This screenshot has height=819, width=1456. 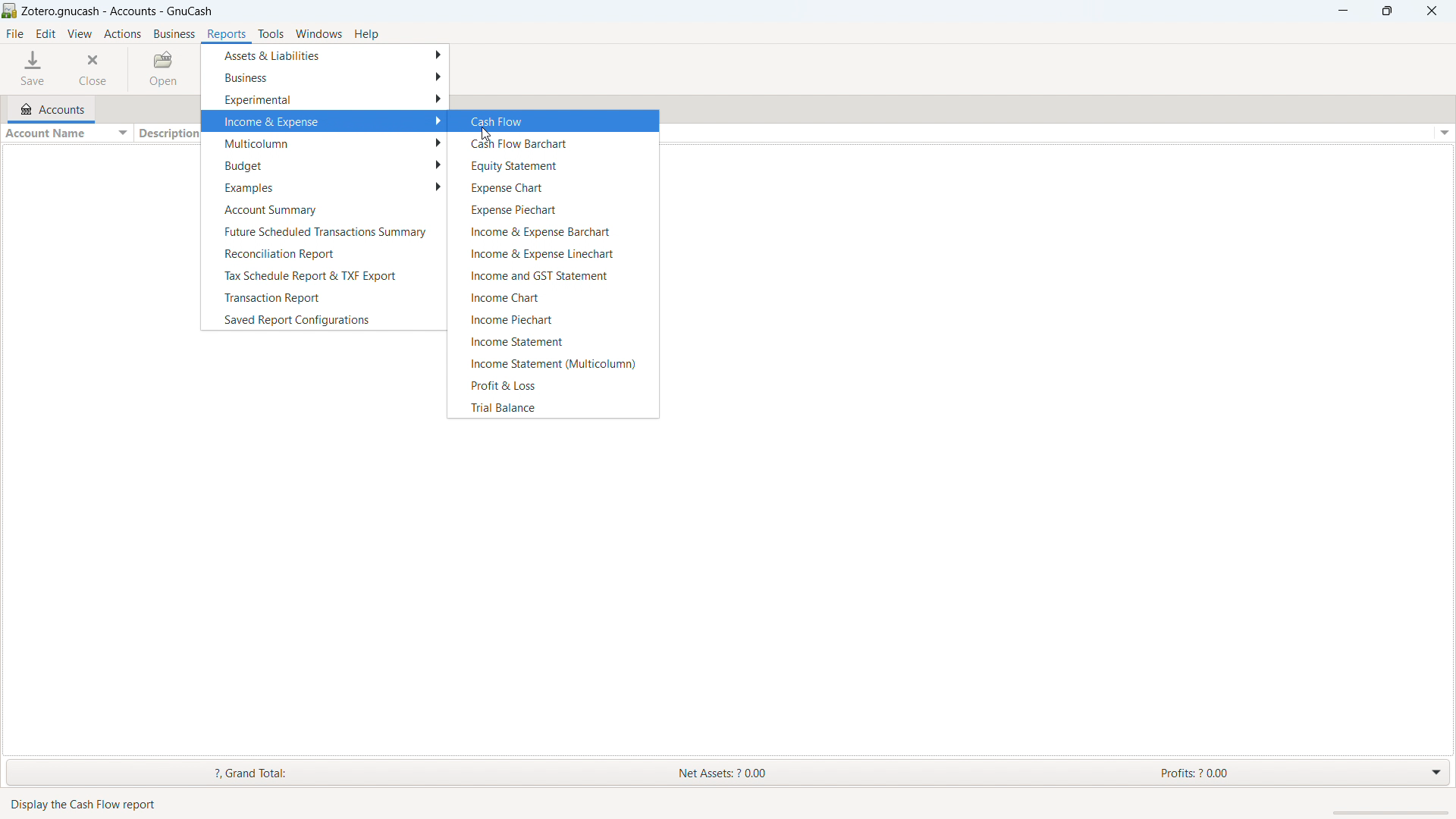 What do you see at coordinates (553, 165) in the screenshot?
I see `equity statement` at bounding box center [553, 165].